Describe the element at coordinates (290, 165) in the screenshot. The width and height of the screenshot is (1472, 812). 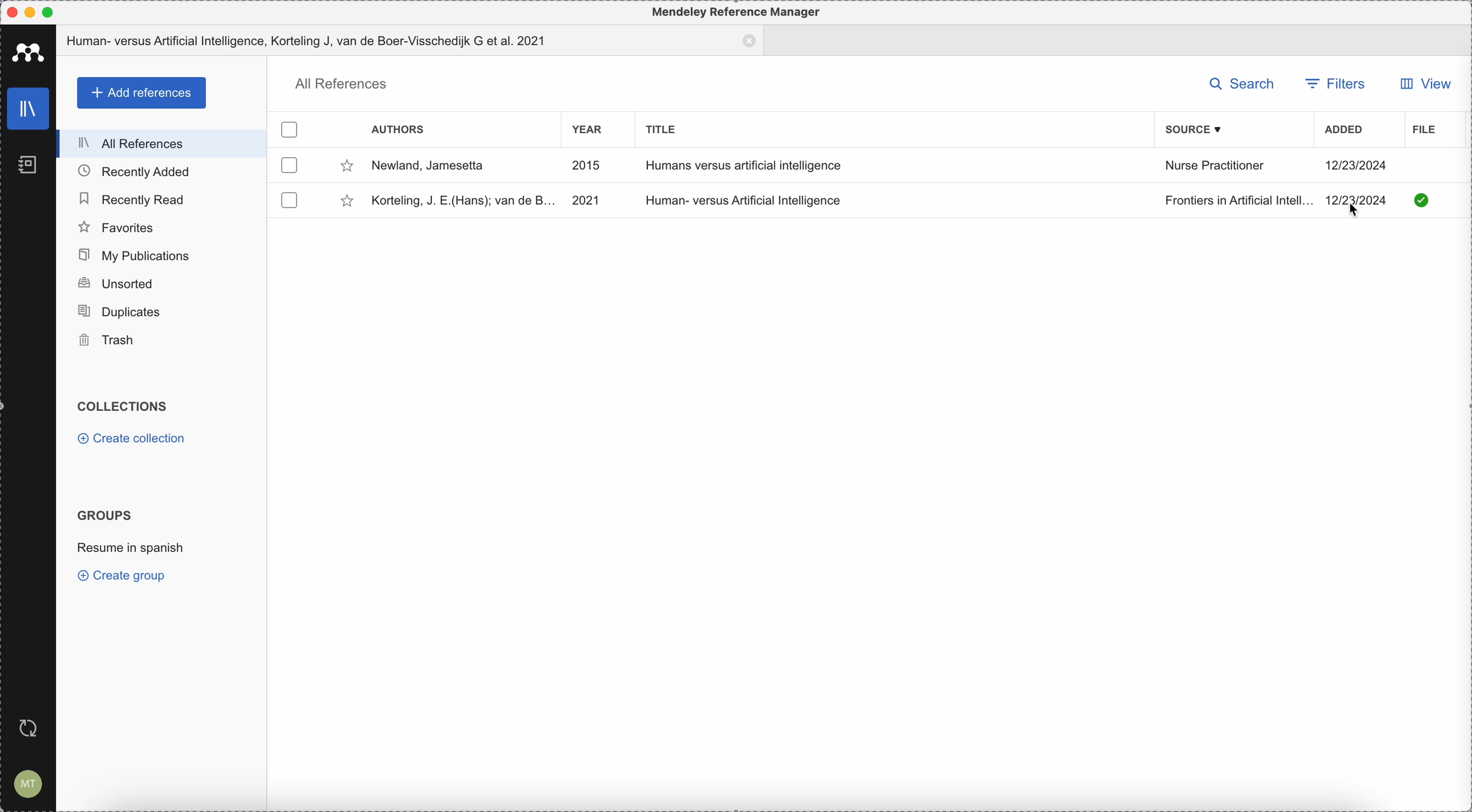
I see `checkbox` at that location.